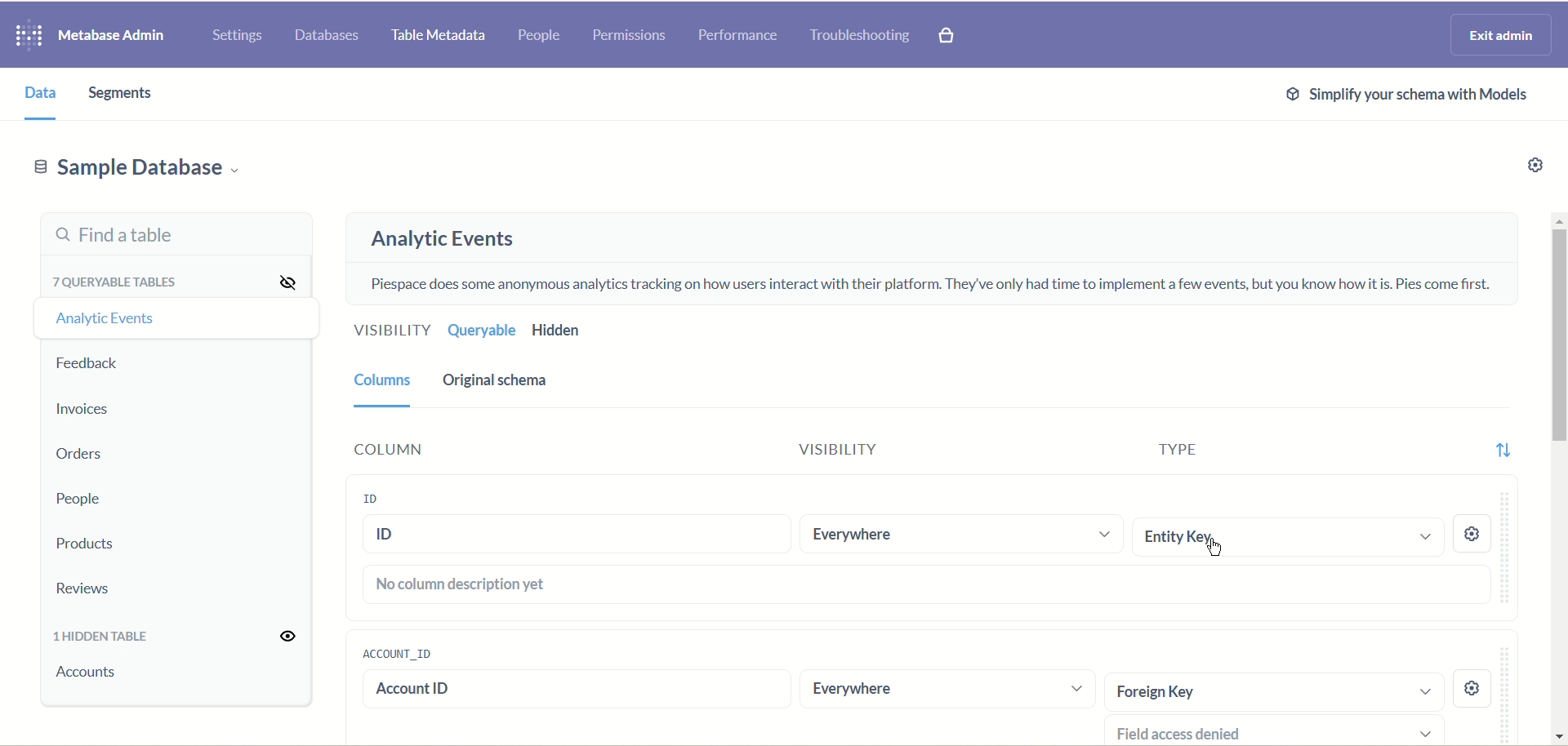  I want to click on data, so click(35, 94).